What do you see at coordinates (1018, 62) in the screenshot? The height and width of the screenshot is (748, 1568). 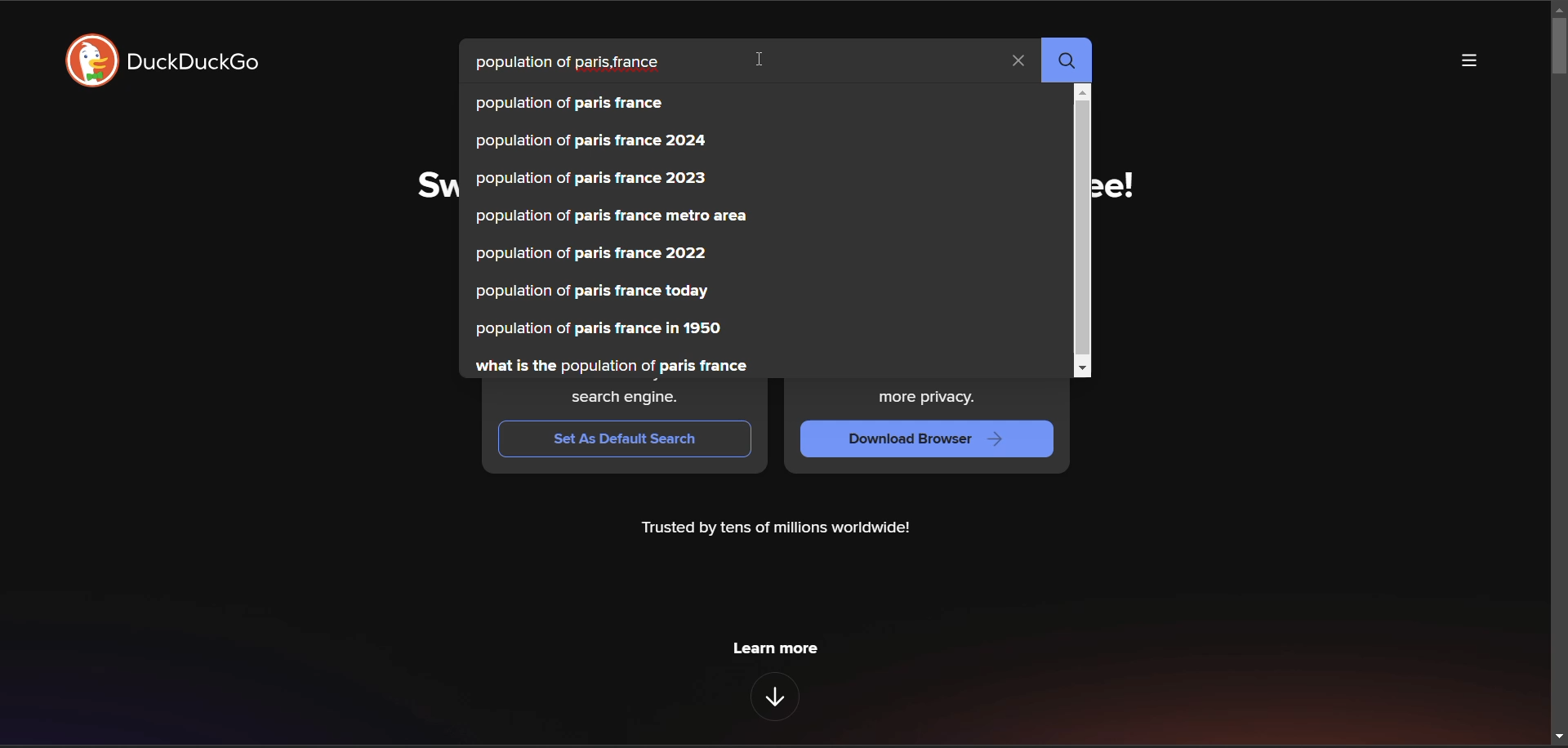 I see `clear search term` at bounding box center [1018, 62].